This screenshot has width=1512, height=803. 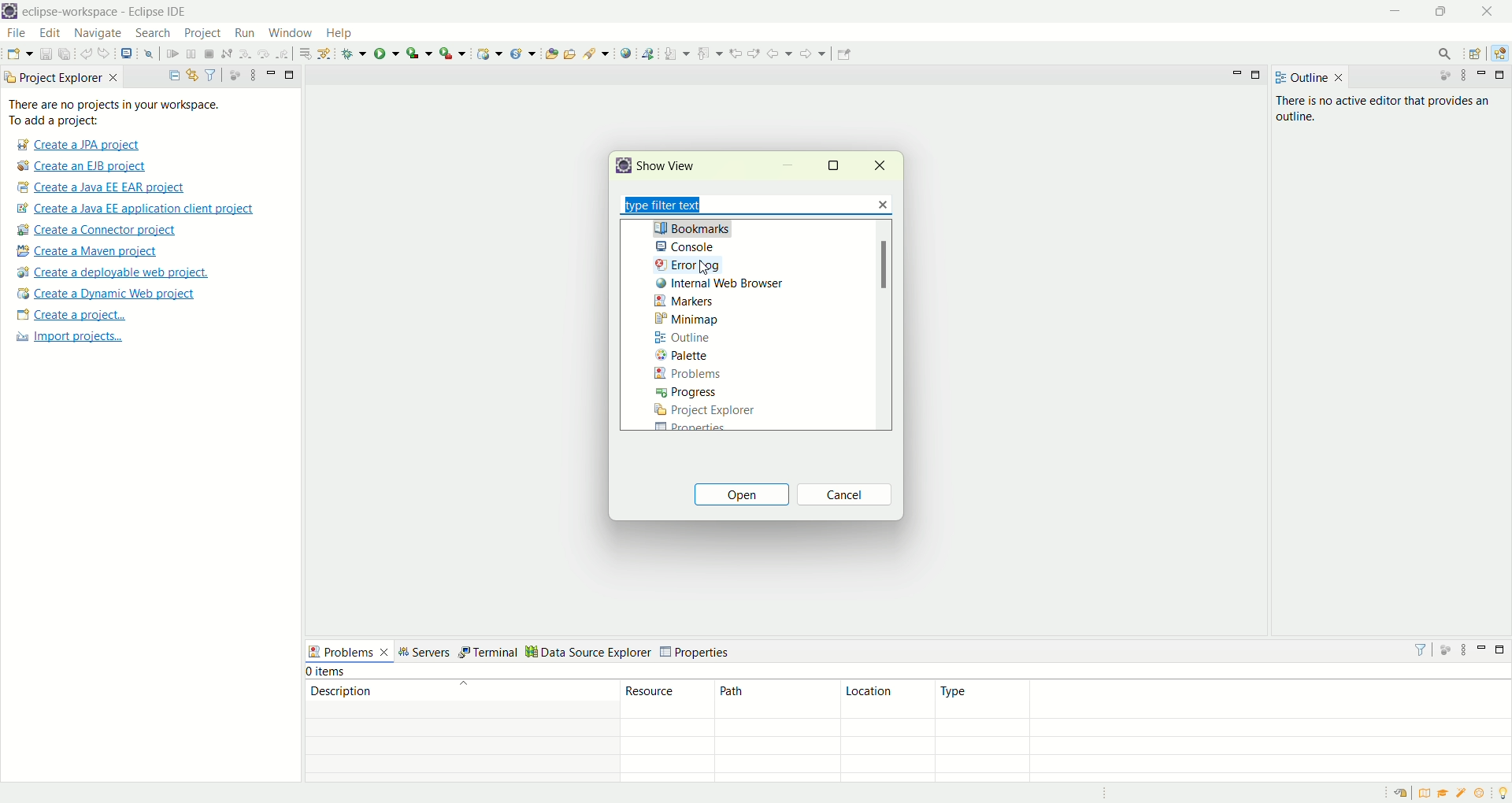 I want to click on minimize, so click(x=1483, y=76).